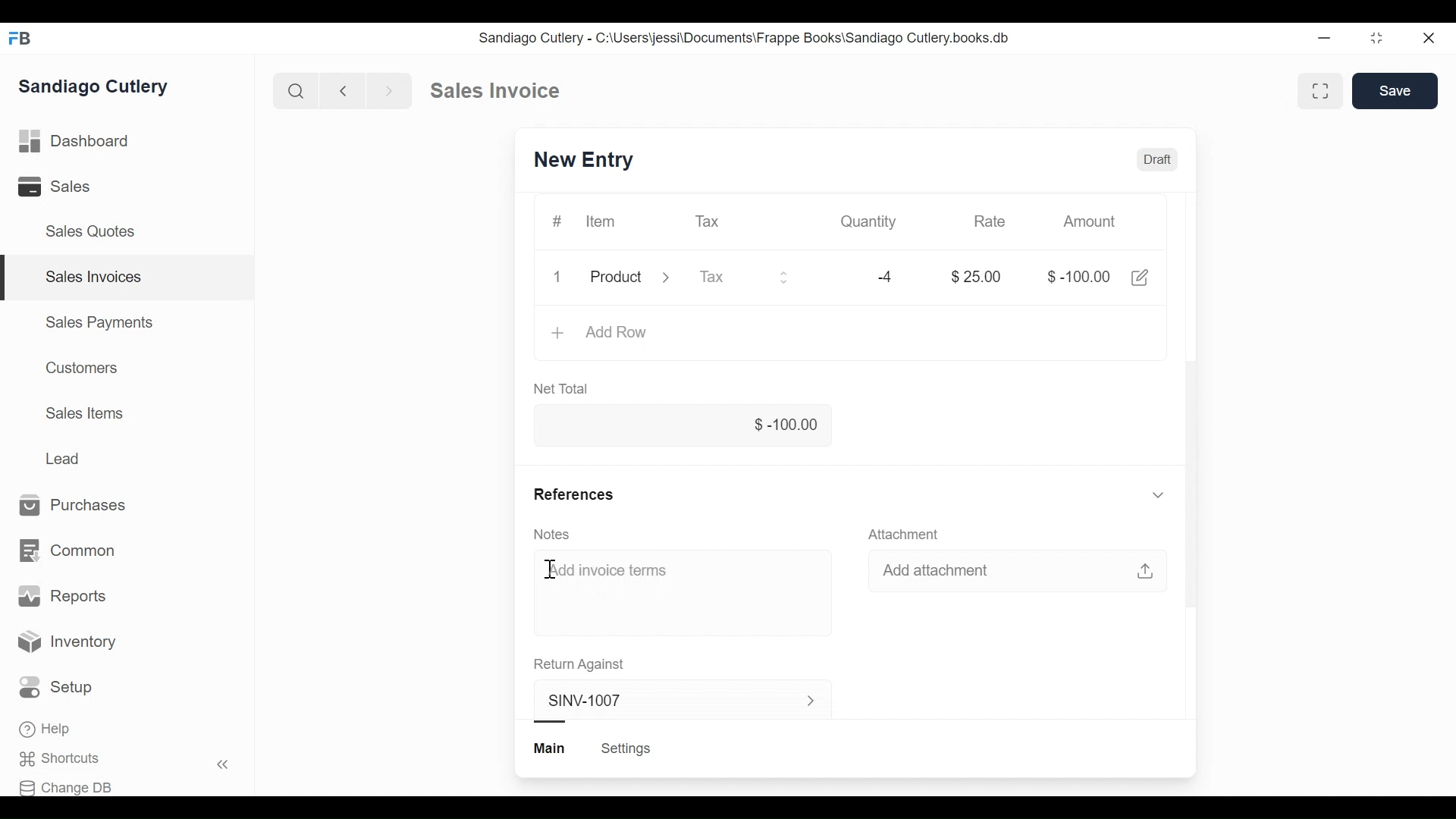 Image resolution: width=1456 pixels, height=819 pixels. What do you see at coordinates (69, 550) in the screenshot?
I see ` Common` at bounding box center [69, 550].